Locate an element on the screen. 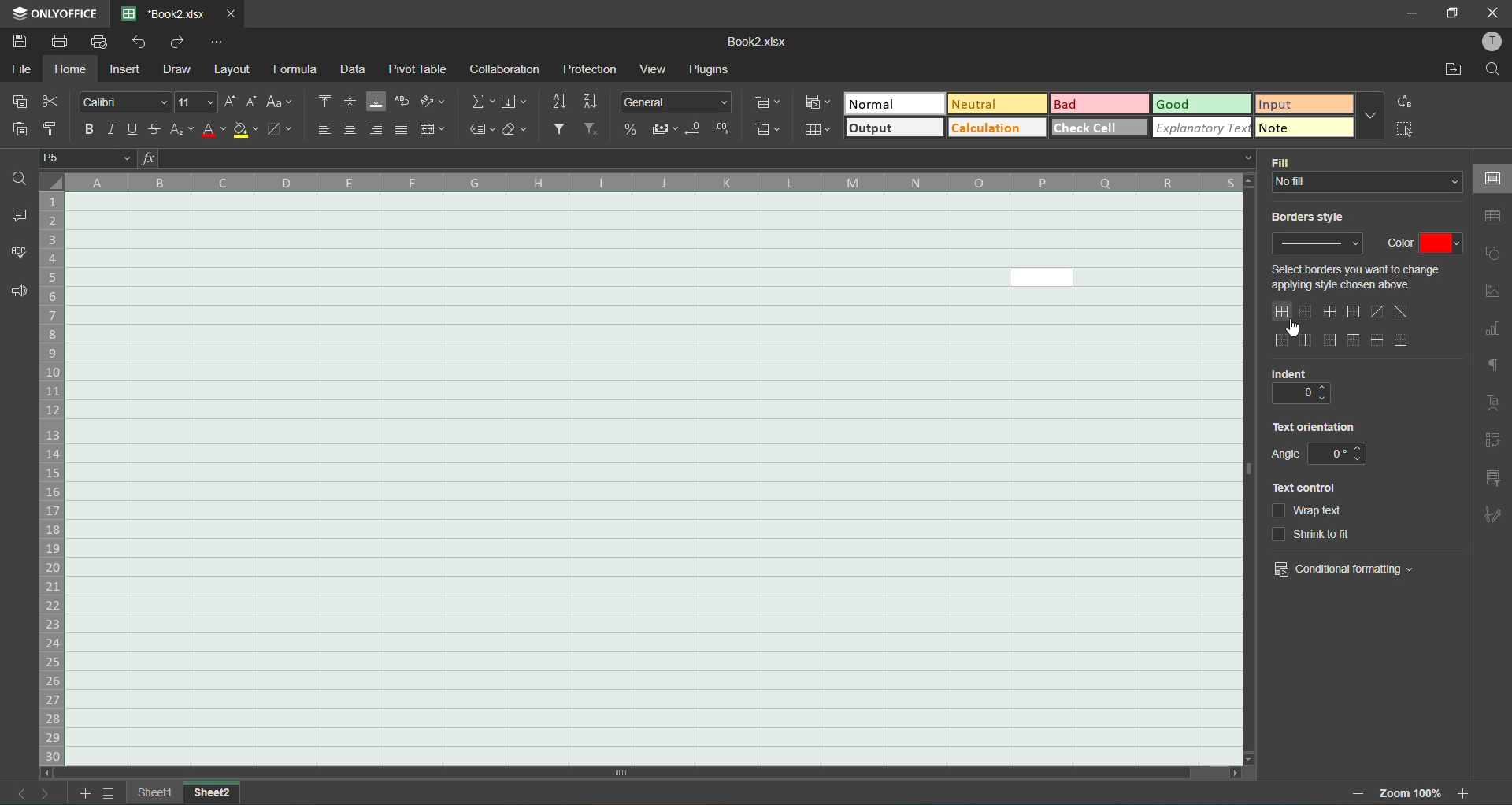 Image resolution: width=1512 pixels, height=805 pixels. decrease decimal is located at coordinates (695, 129).